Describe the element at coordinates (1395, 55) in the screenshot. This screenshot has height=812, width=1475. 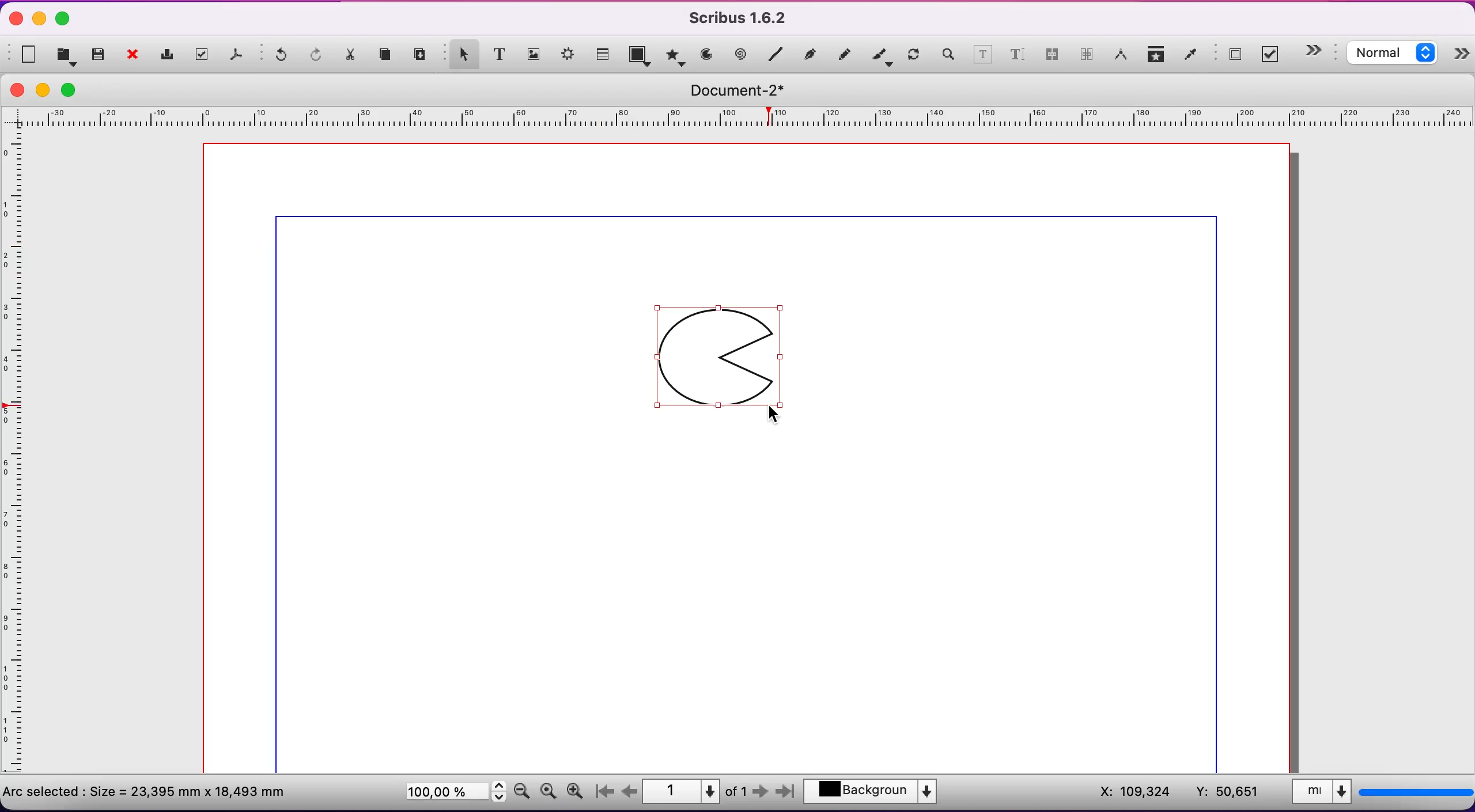
I see `select image preview quality` at that location.